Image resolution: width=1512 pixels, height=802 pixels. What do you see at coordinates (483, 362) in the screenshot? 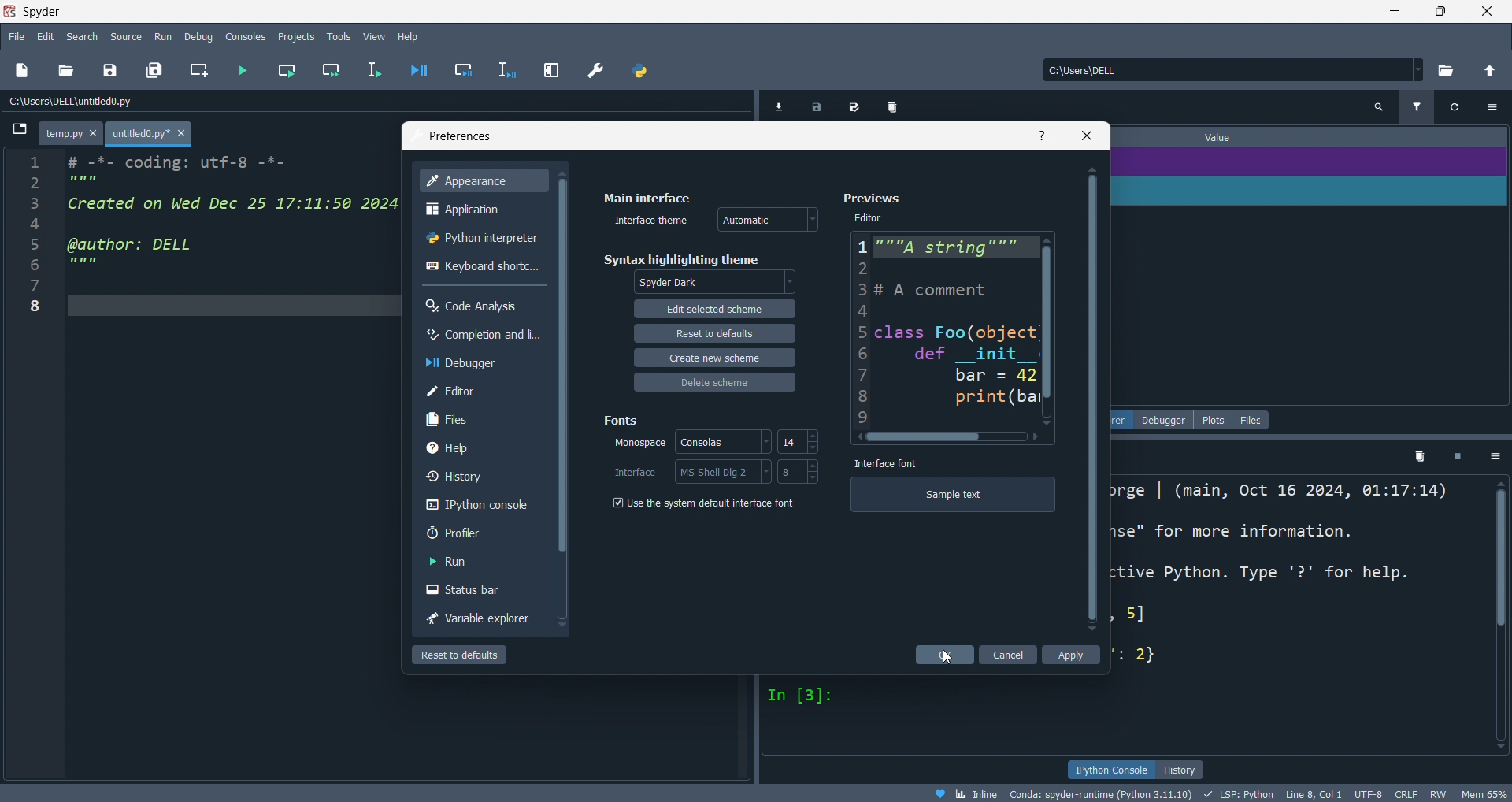
I see `debugger` at bounding box center [483, 362].